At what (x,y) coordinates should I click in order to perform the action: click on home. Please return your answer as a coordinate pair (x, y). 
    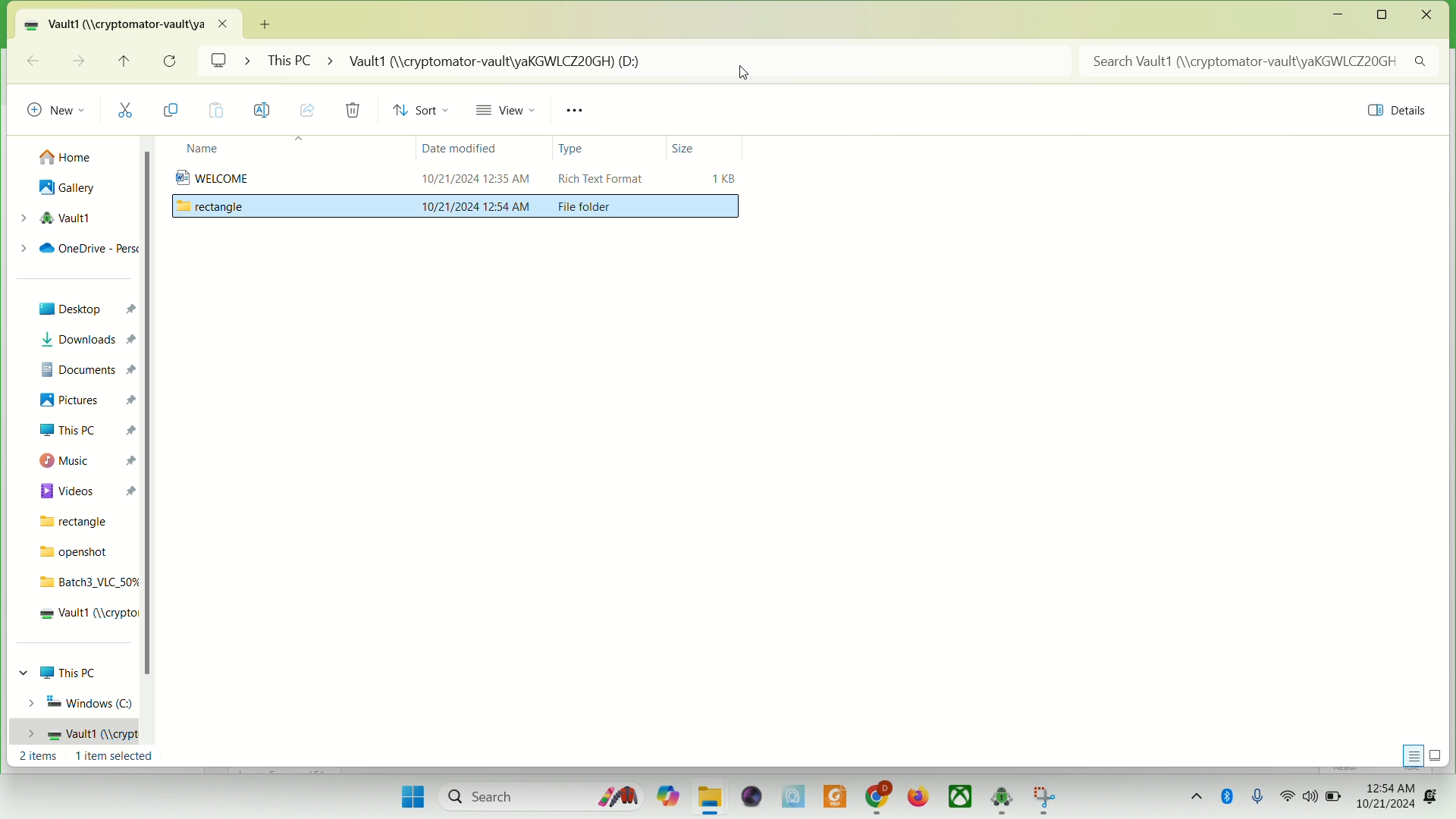
    Looking at the image, I should click on (67, 153).